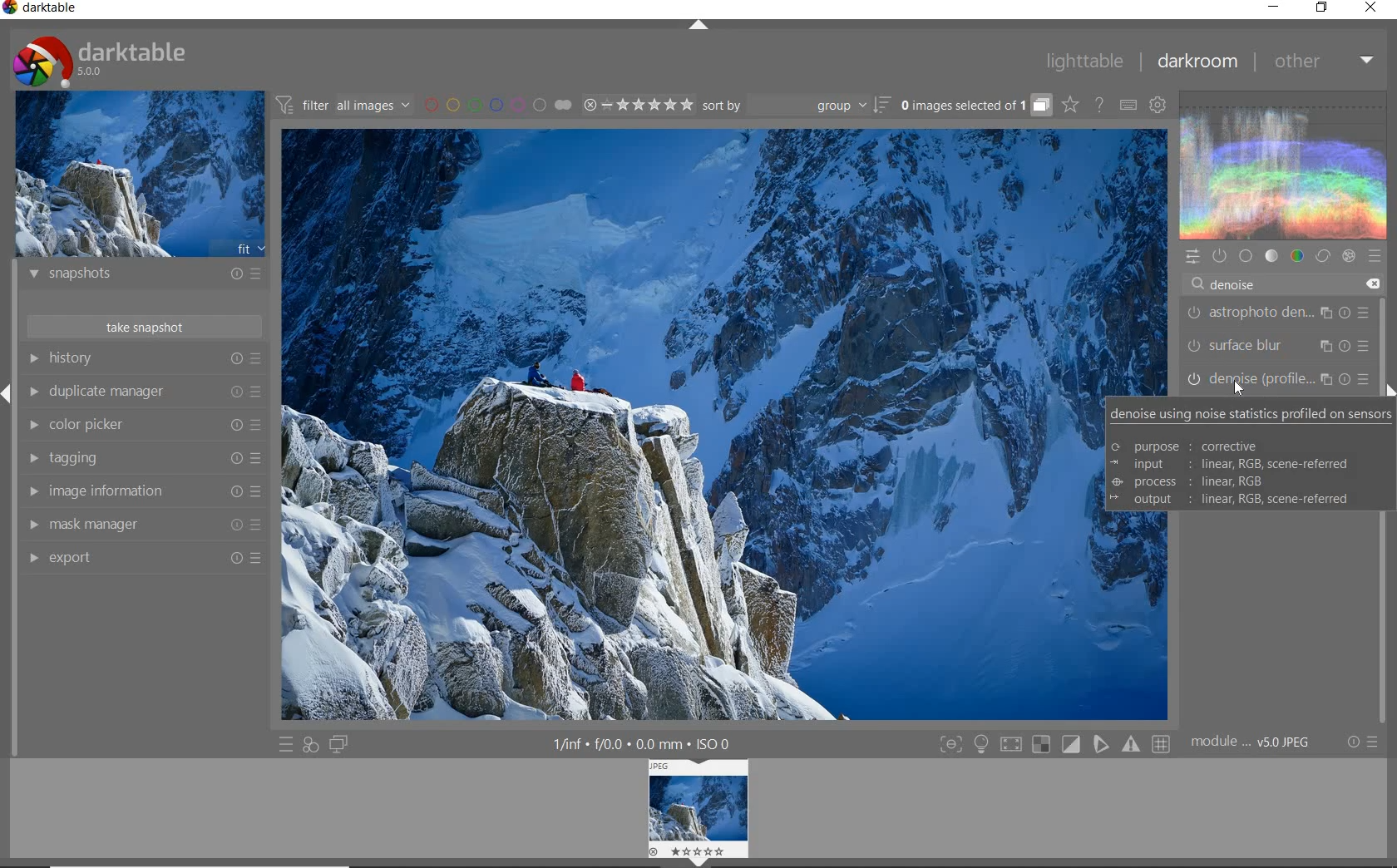  What do you see at coordinates (143, 459) in the screenshot?
I see `tagging` at bounding box center [143, 459].